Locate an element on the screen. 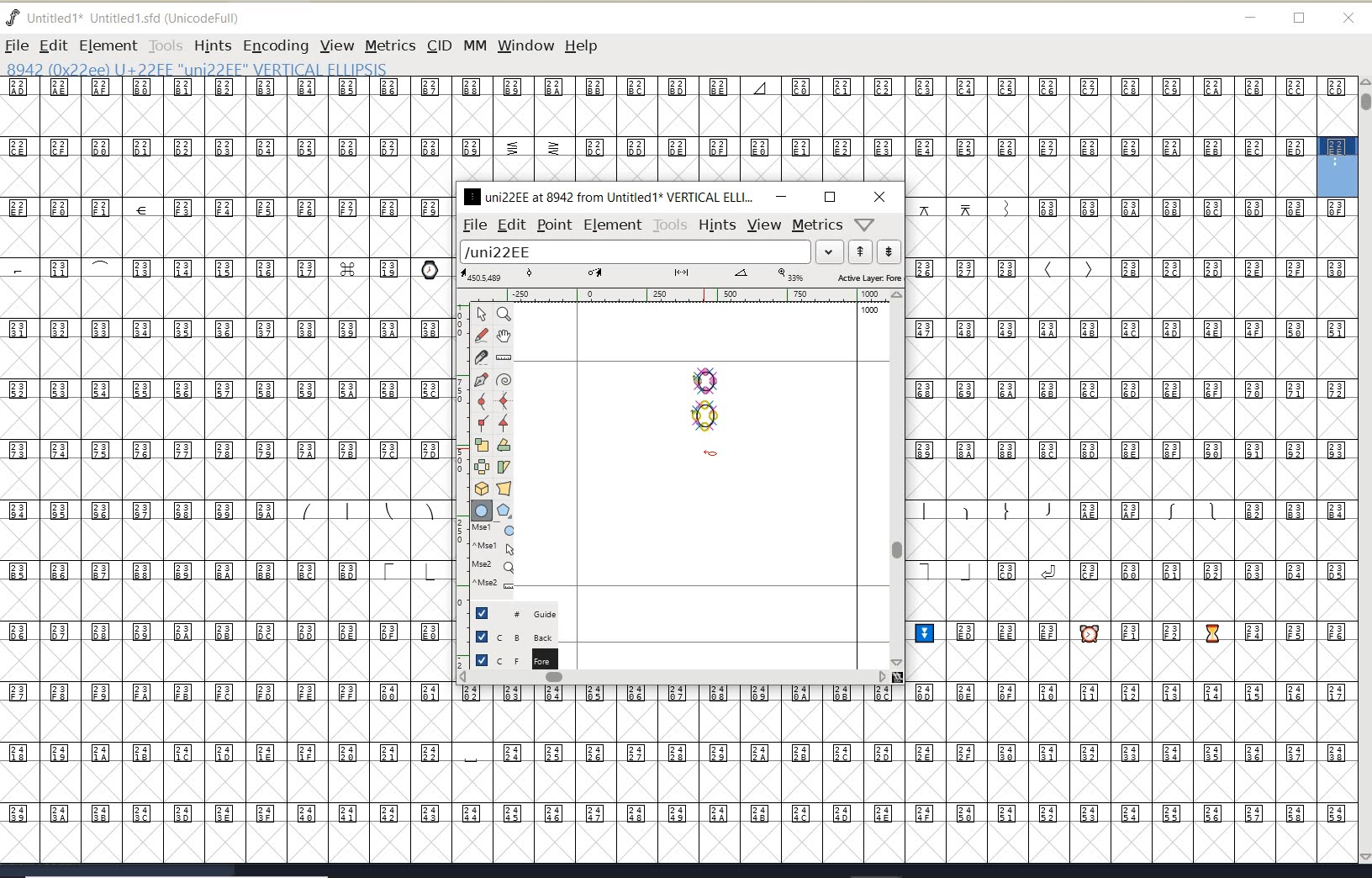  perform a perspective transformation on the selection is located at coordinates (504, 488).